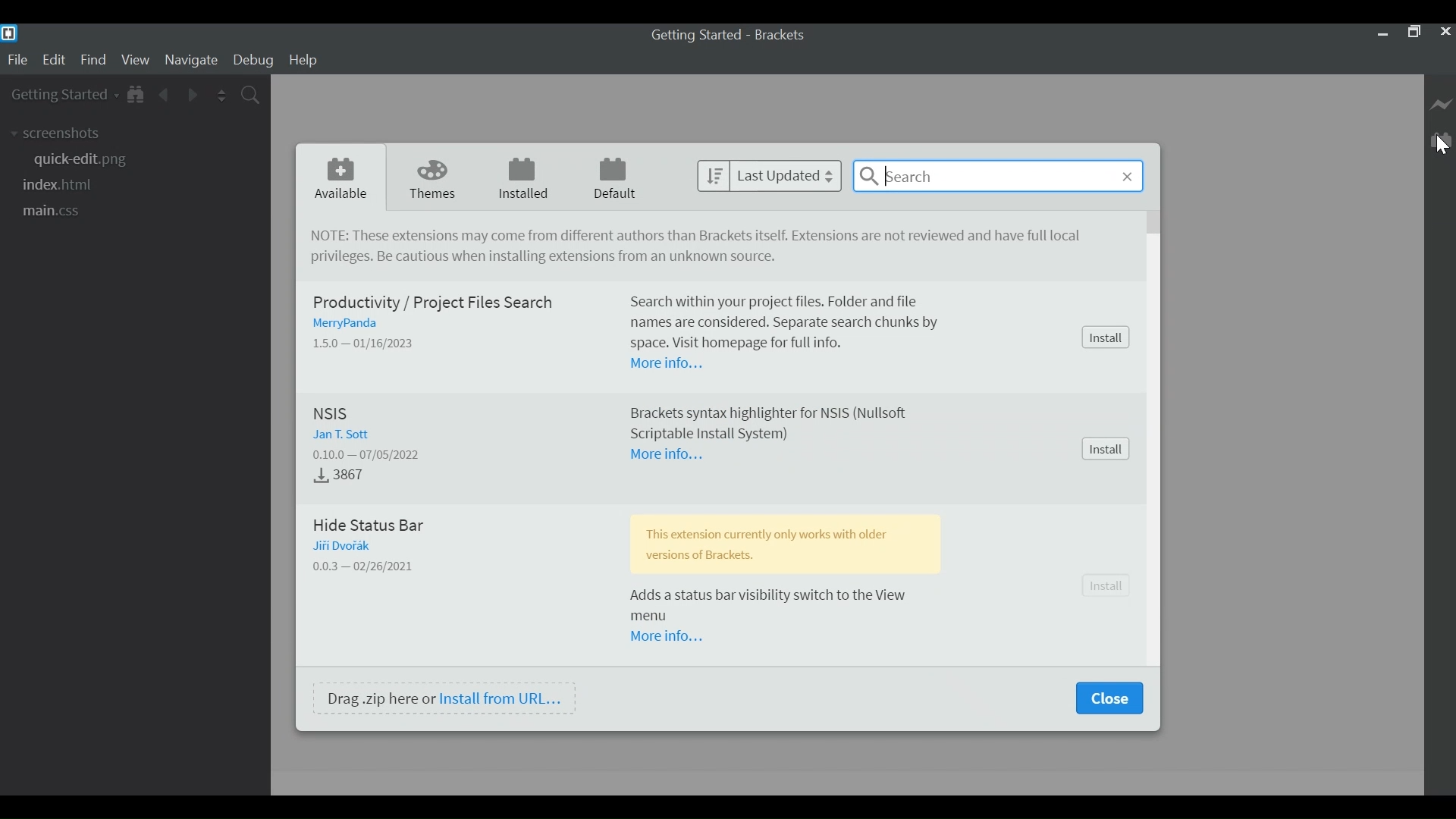 The width and height of the screenshot is (1456, 819). I want to click on Author, so click(353, 324).